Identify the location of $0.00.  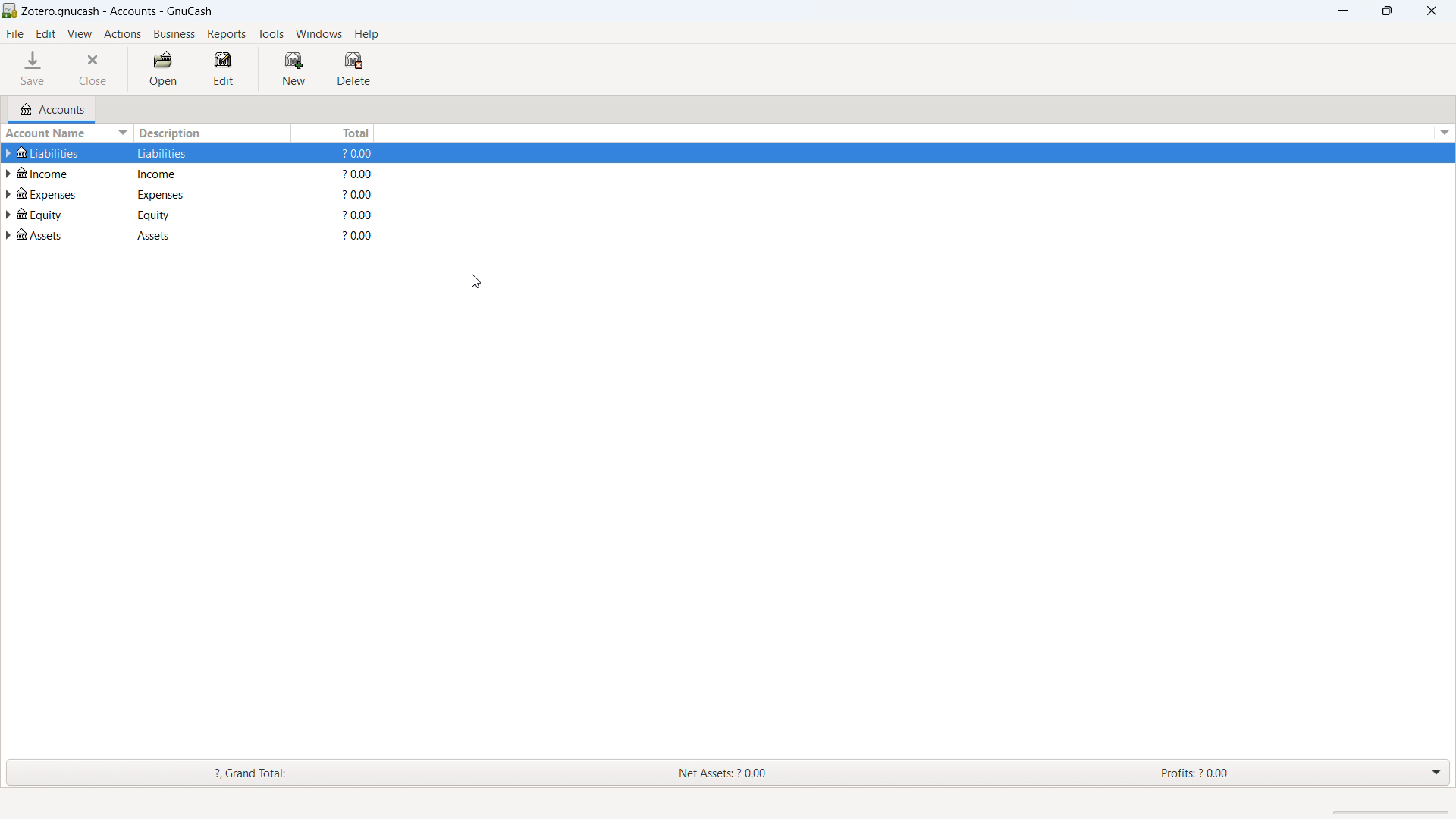
(359, 155).